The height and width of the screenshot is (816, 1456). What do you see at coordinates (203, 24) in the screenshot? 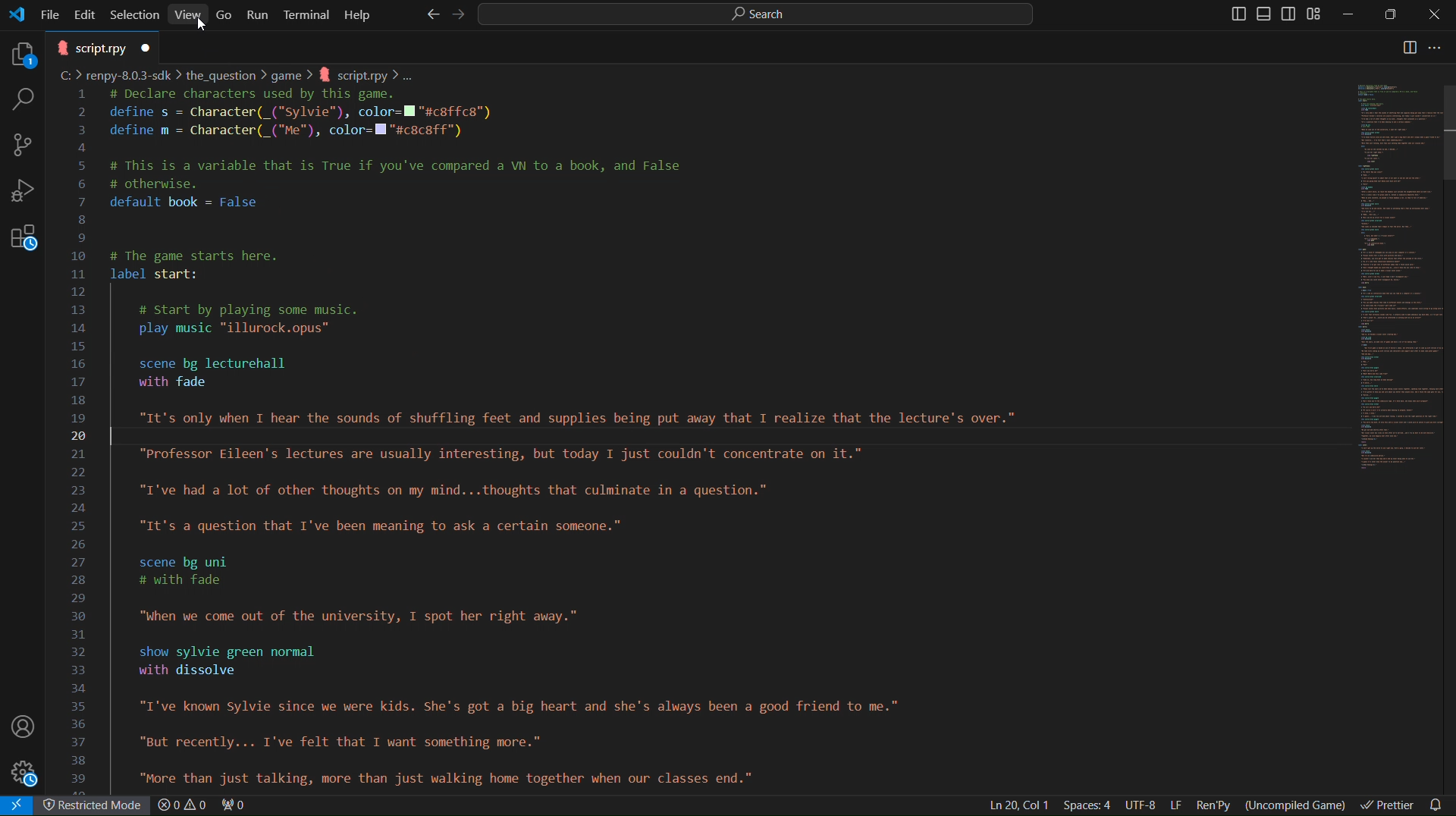
I see `Cursor` at bounding box center [203, 24].